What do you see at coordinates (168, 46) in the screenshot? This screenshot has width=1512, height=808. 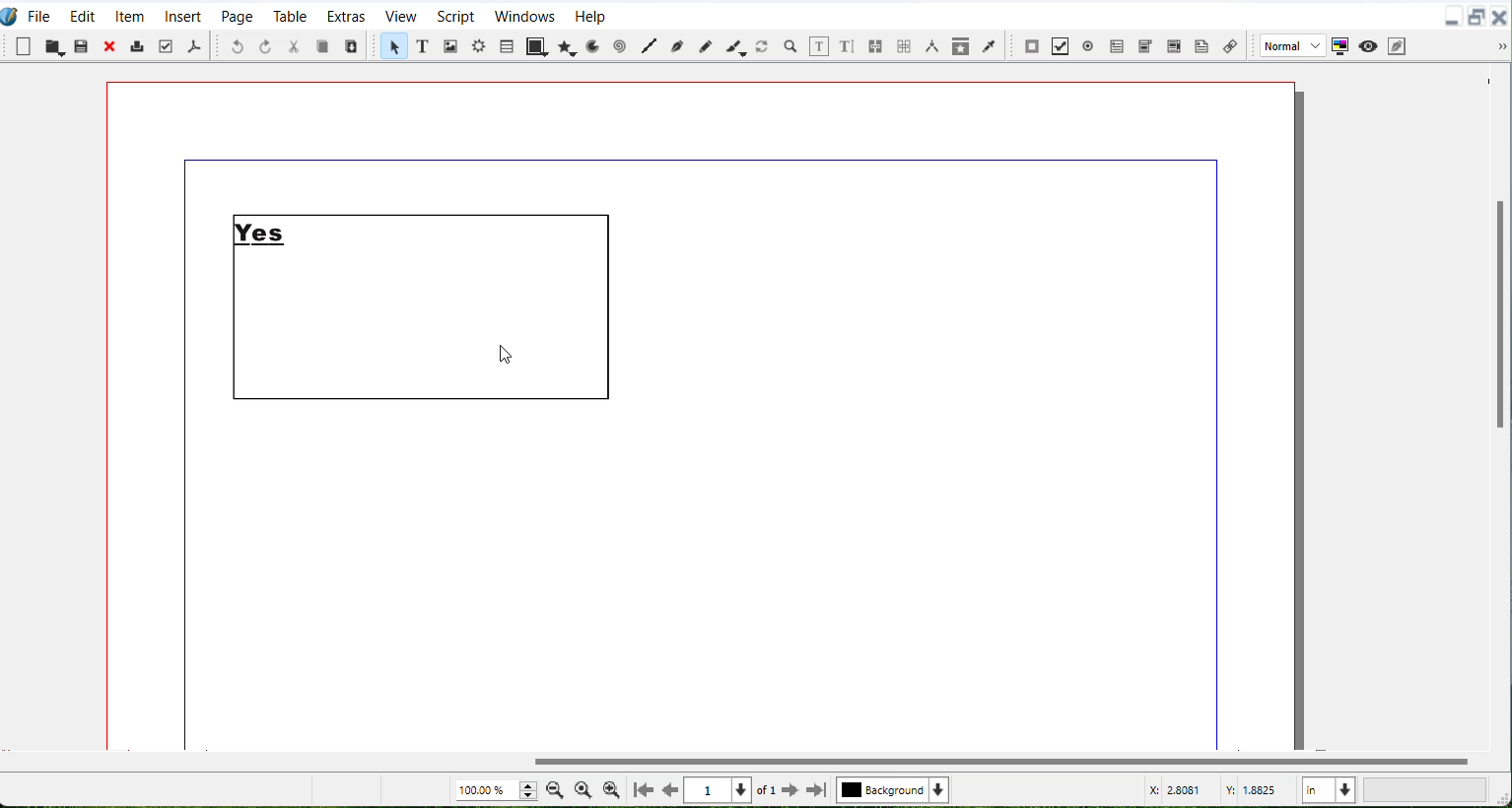 I see `Preflight verifier` at bounding box center [168, 46].